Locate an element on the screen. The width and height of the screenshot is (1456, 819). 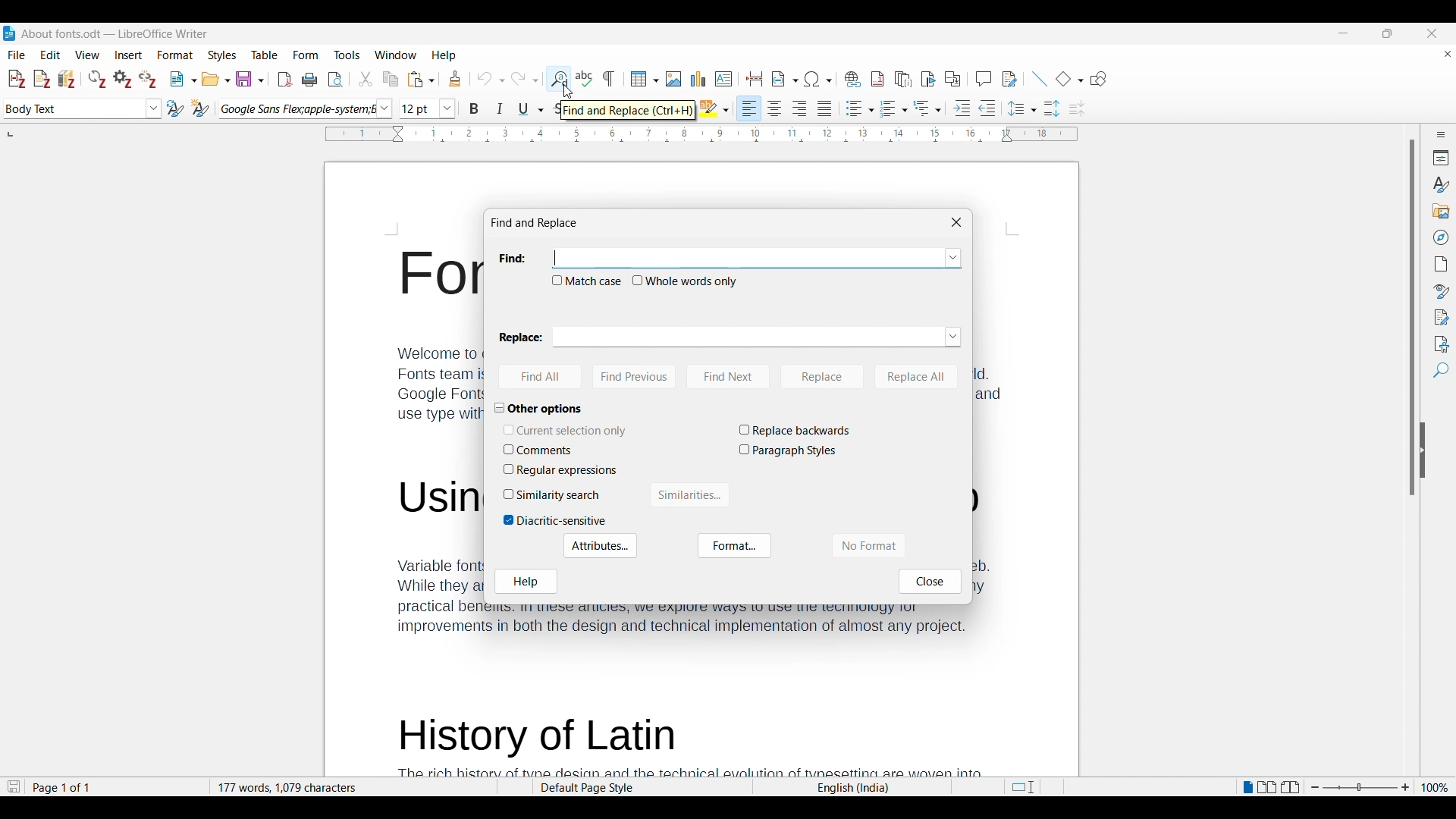
Insert image is located at coordinates (673, 79).